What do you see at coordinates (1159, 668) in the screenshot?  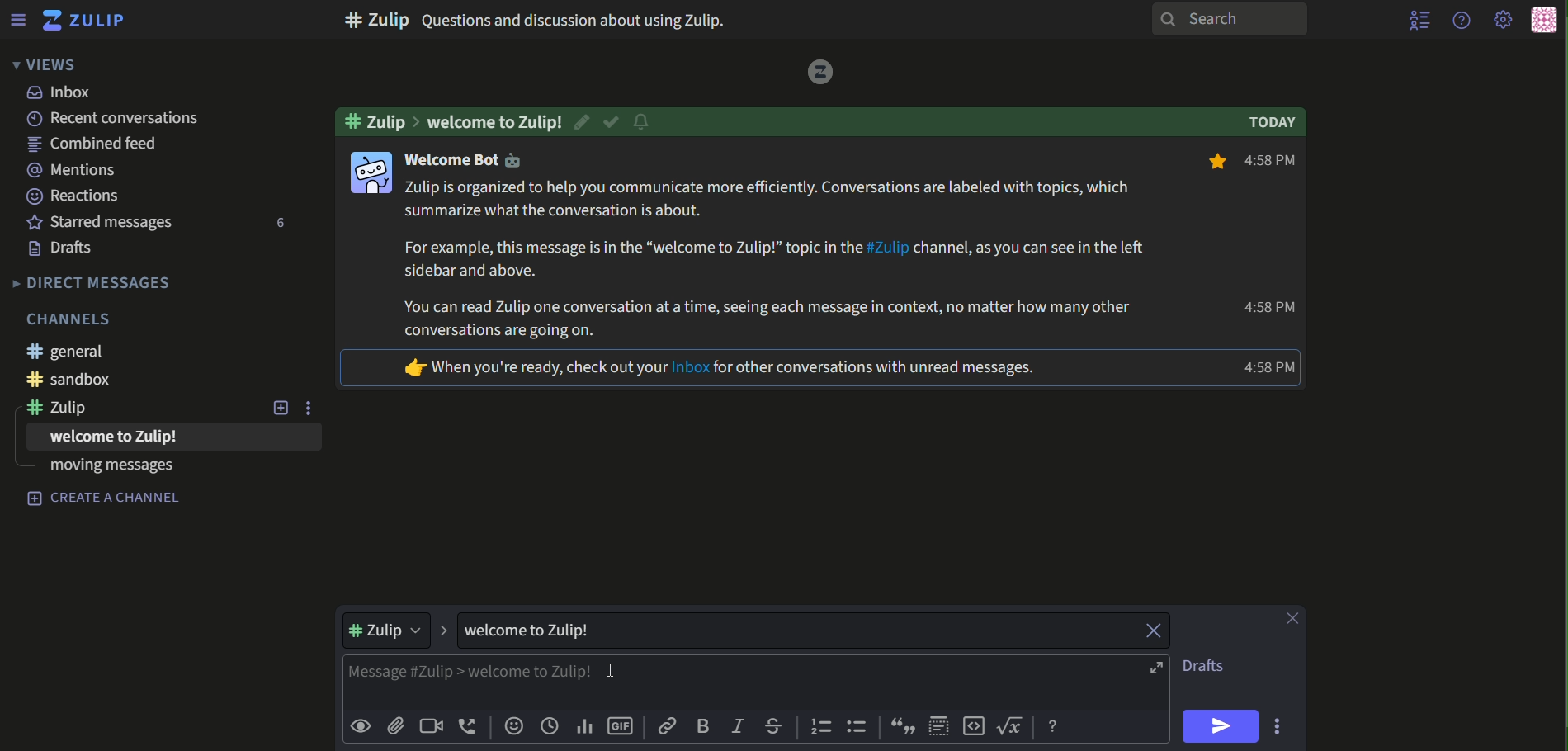 I see `fullscreen` at bounding box center [1159, 668].